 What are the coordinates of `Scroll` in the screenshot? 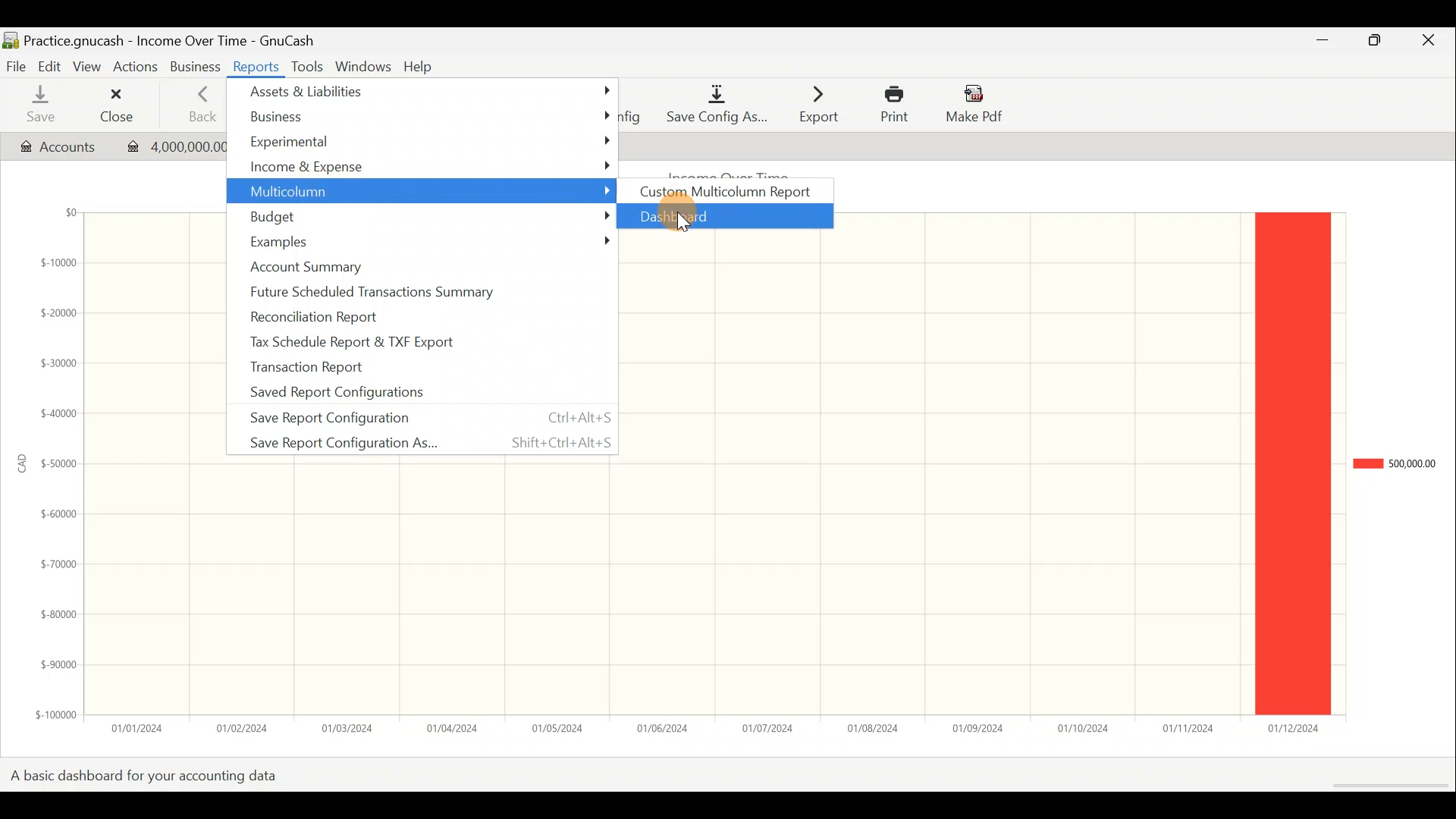 It's located at (1386, 787).